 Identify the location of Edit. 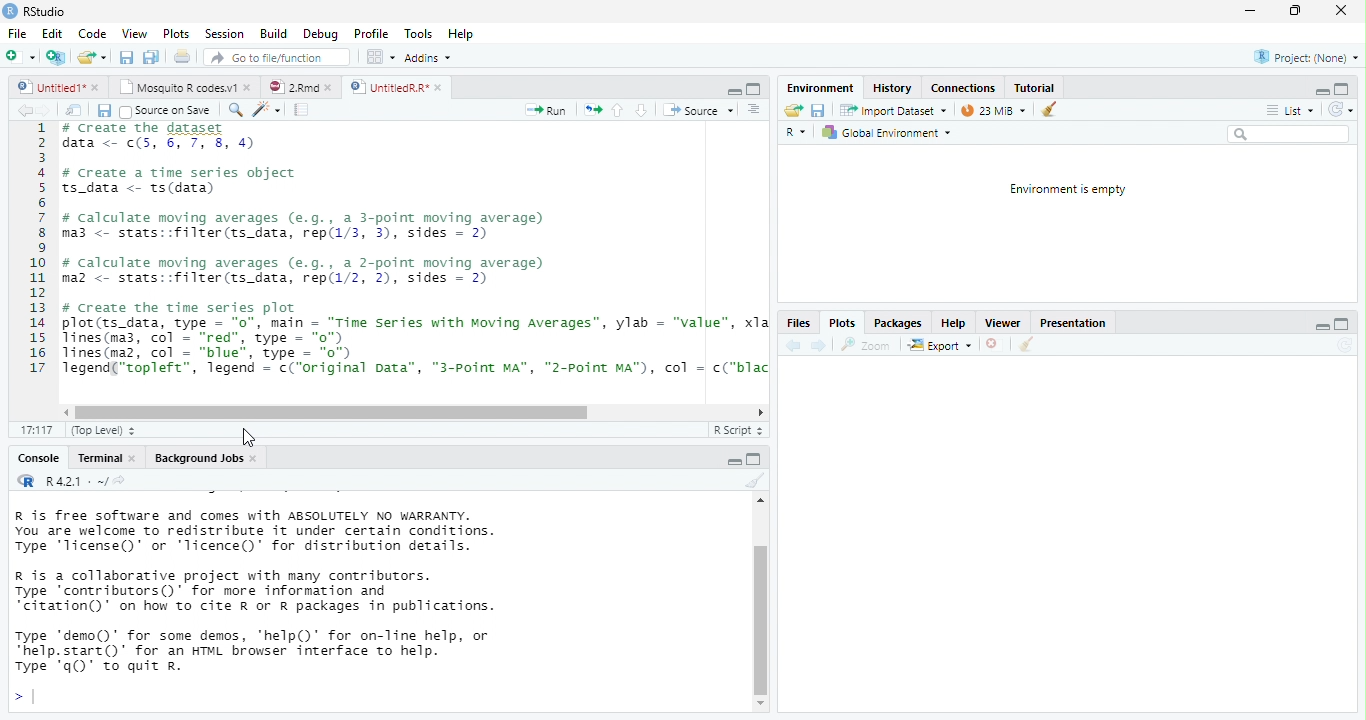
(52, 33).